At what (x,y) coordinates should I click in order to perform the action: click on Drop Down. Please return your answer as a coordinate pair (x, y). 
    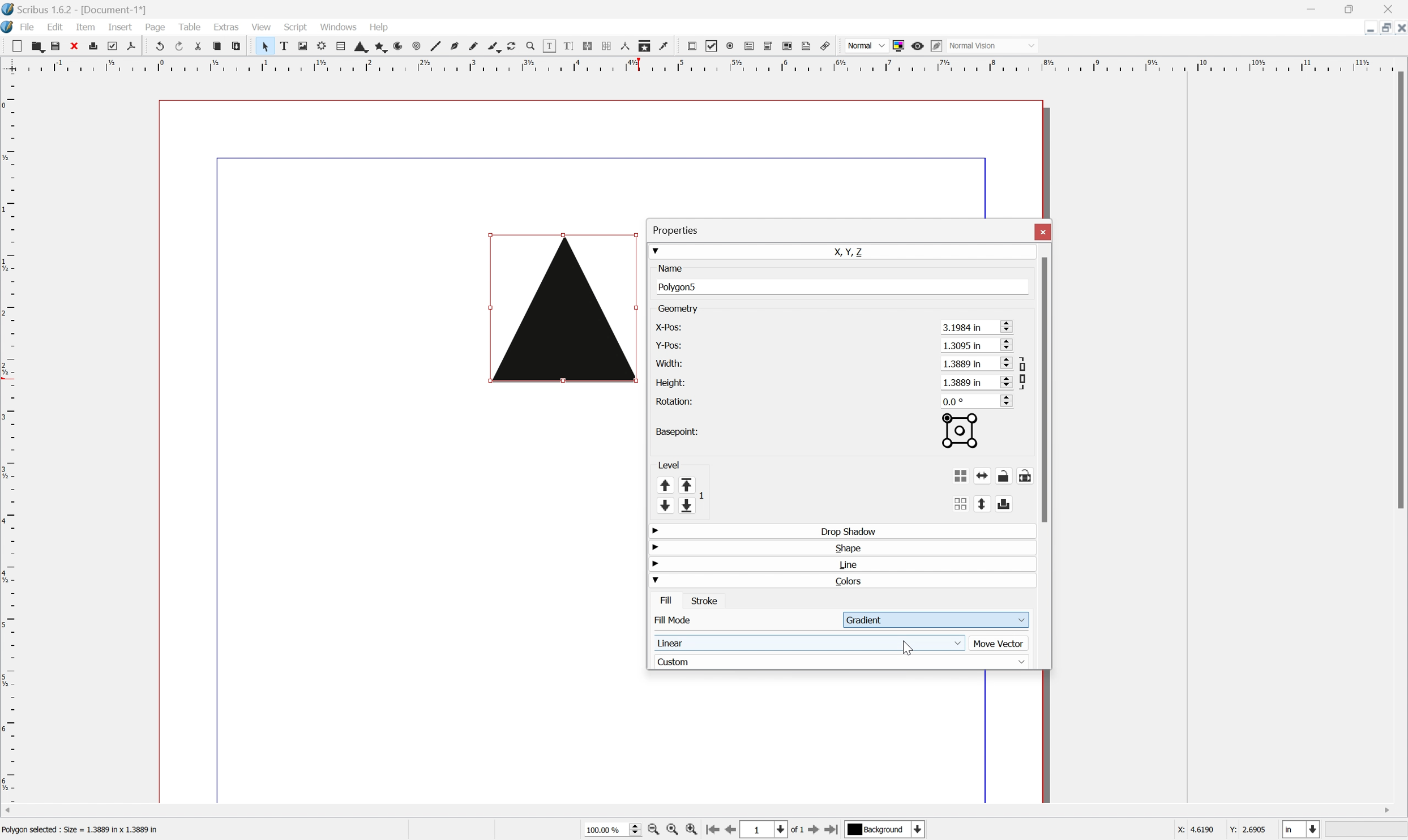
    Looking at the image, I should click on (654, 564).